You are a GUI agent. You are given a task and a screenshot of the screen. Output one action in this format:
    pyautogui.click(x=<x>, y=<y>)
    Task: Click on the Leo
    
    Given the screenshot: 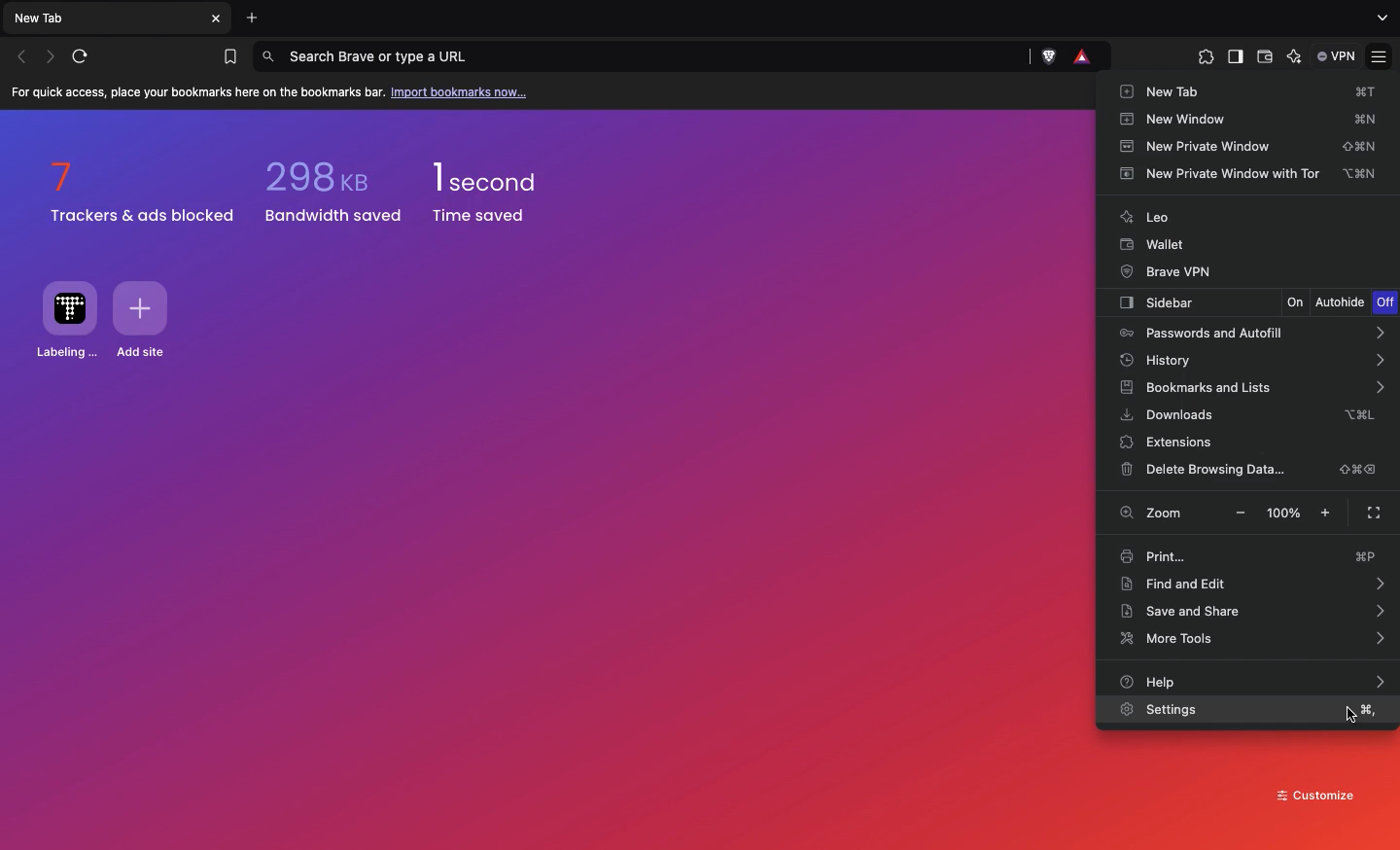 What is the action you would take?
    pyautogui.click(x=1145, y=217)
    